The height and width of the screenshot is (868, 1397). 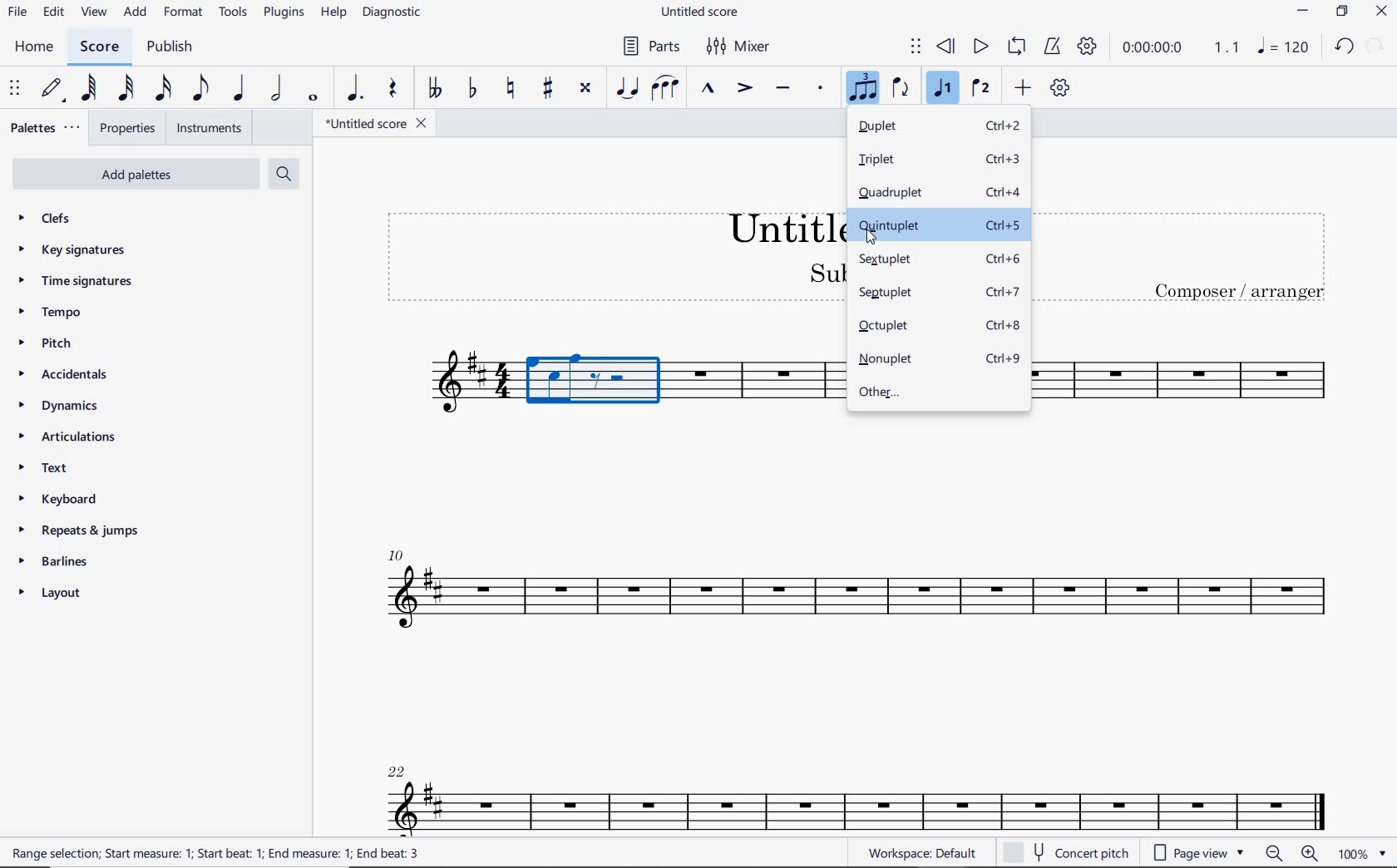 What do you see at coordinates (943, 89) in the screenshot?
I see `VOICE 1` at bounding box center [943, 89].